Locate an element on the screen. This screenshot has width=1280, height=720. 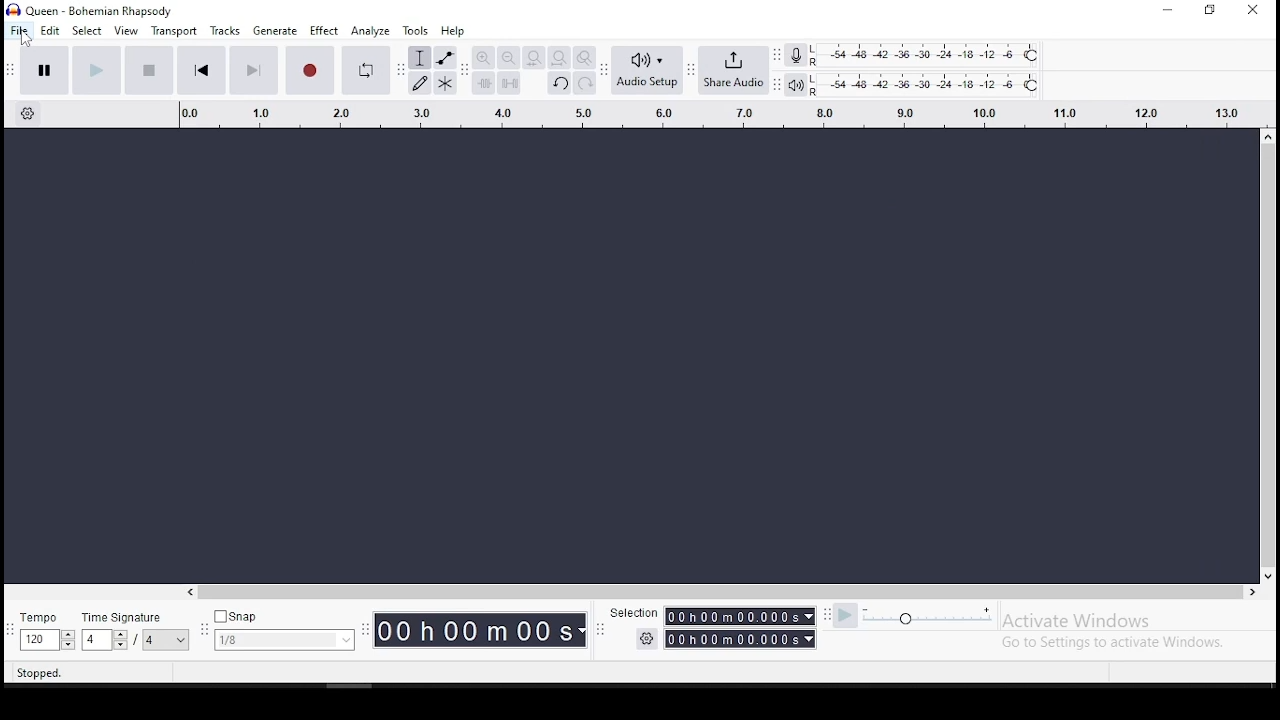
Stopped. is located at coordinates (38, 672).